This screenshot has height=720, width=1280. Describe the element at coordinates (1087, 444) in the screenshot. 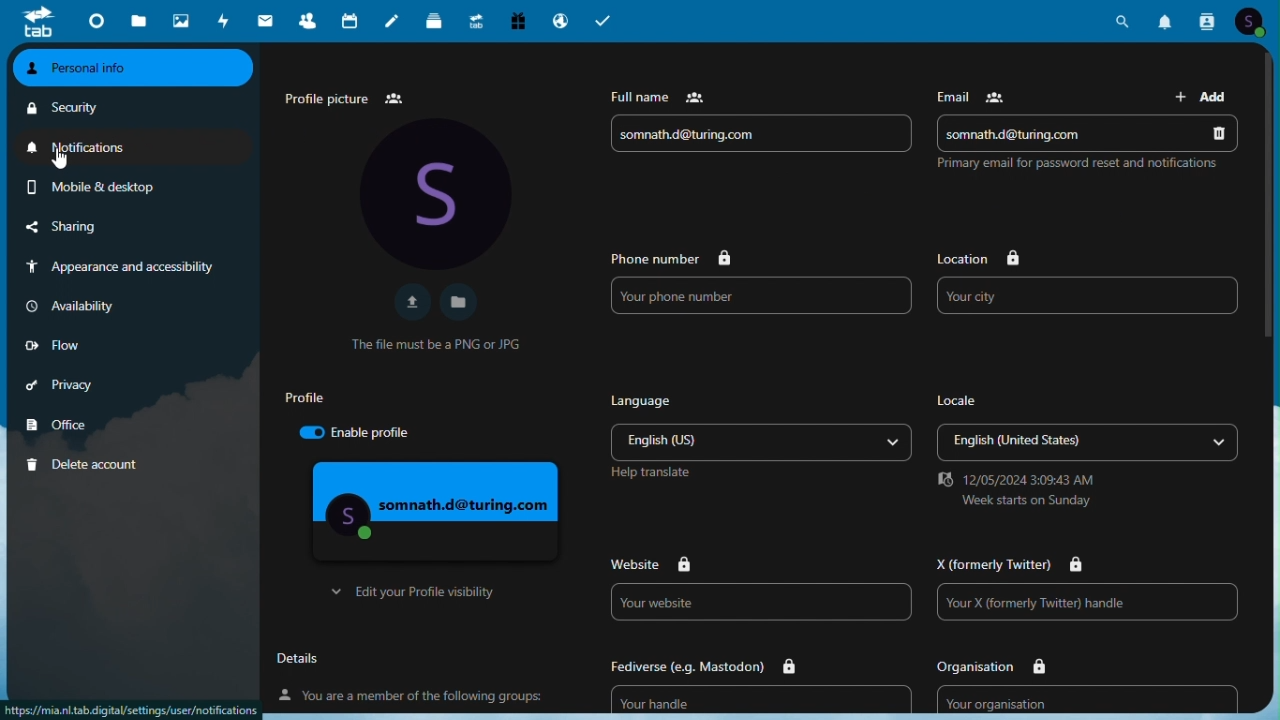

I see `Locale` at that location.